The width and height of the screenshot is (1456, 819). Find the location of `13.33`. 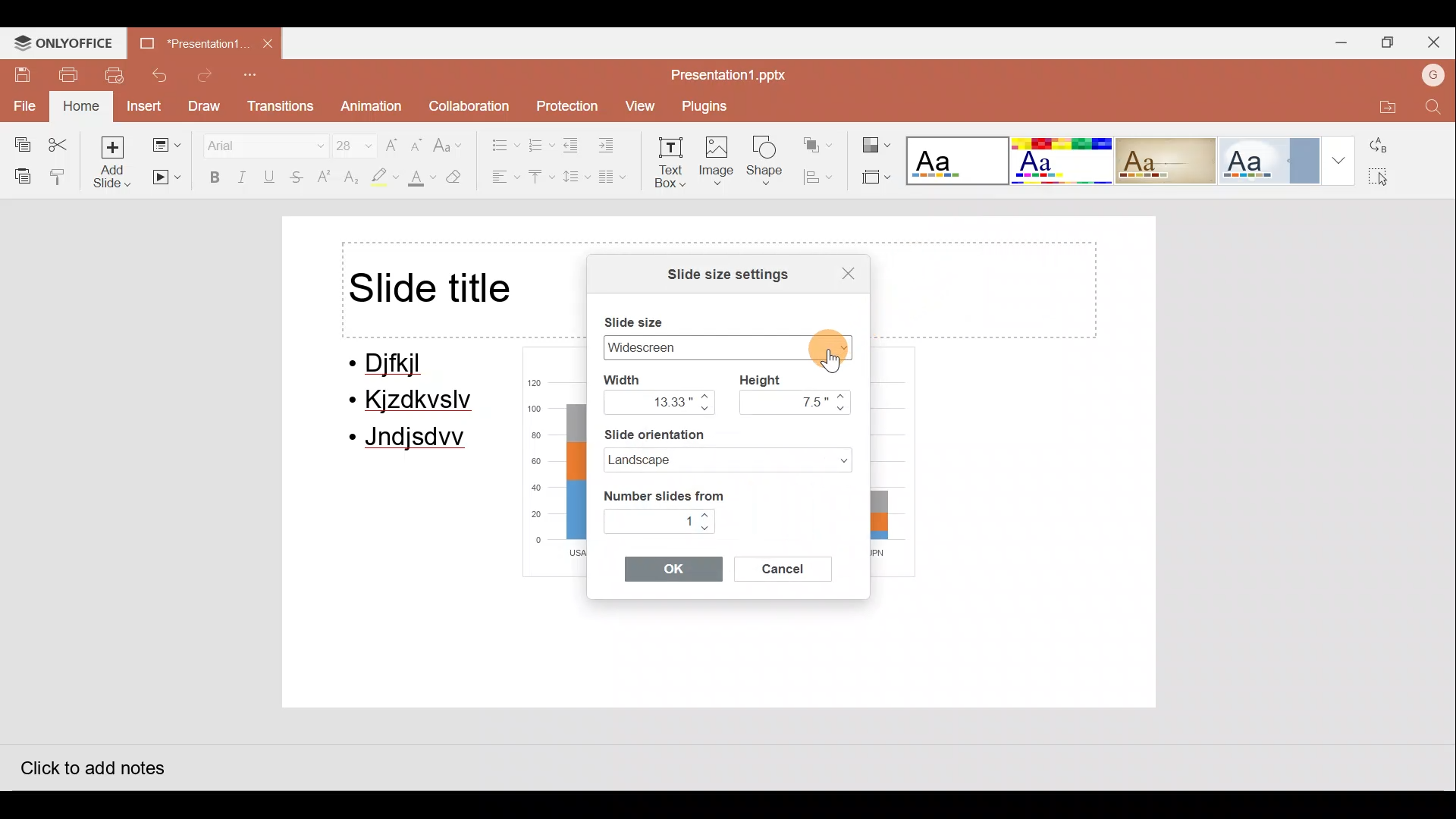

13.33 is located at coordinates (649, 401).